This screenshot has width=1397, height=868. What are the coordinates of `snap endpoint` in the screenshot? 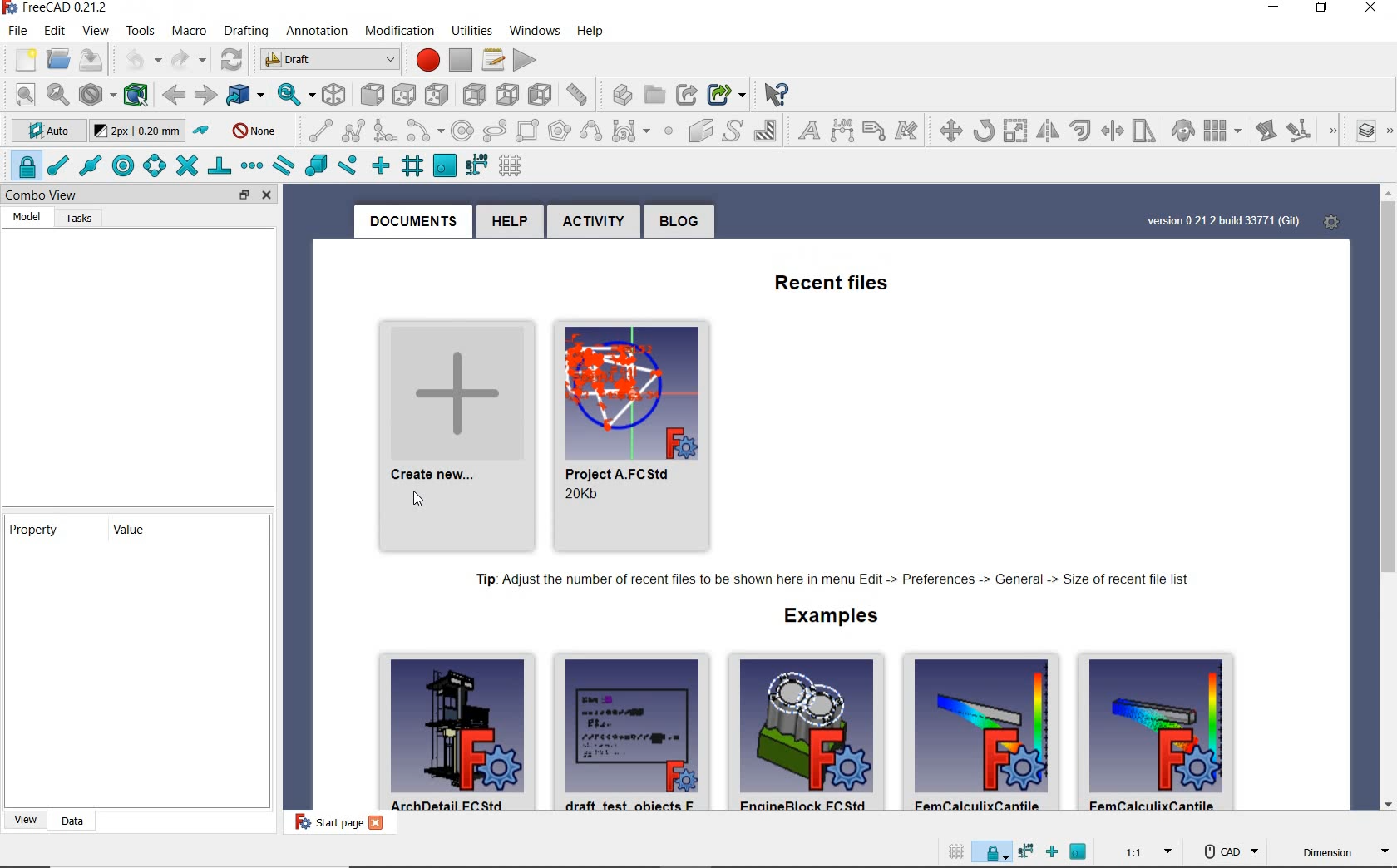 It's located at (59, 165).